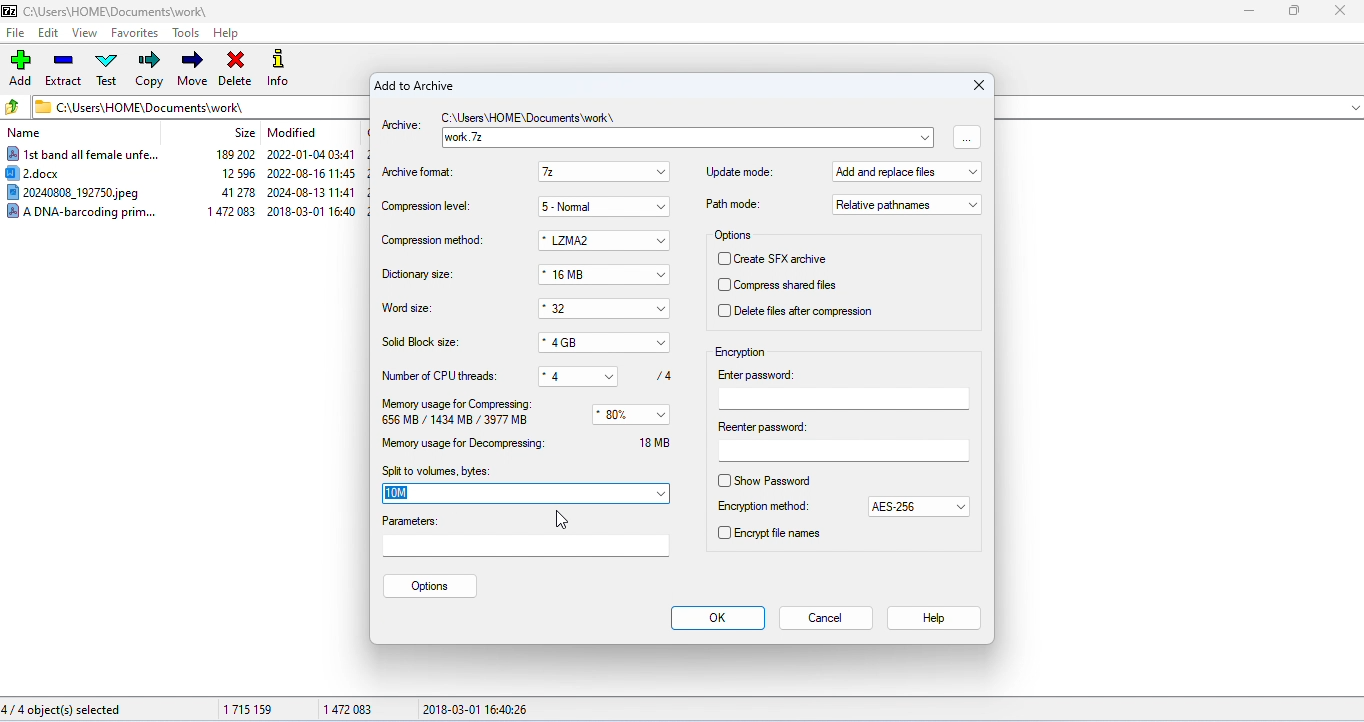  Describe the element at coordinates (140, 106) in the screenshot. I see `CAUsers\HOME\Documents\work\` at that location.